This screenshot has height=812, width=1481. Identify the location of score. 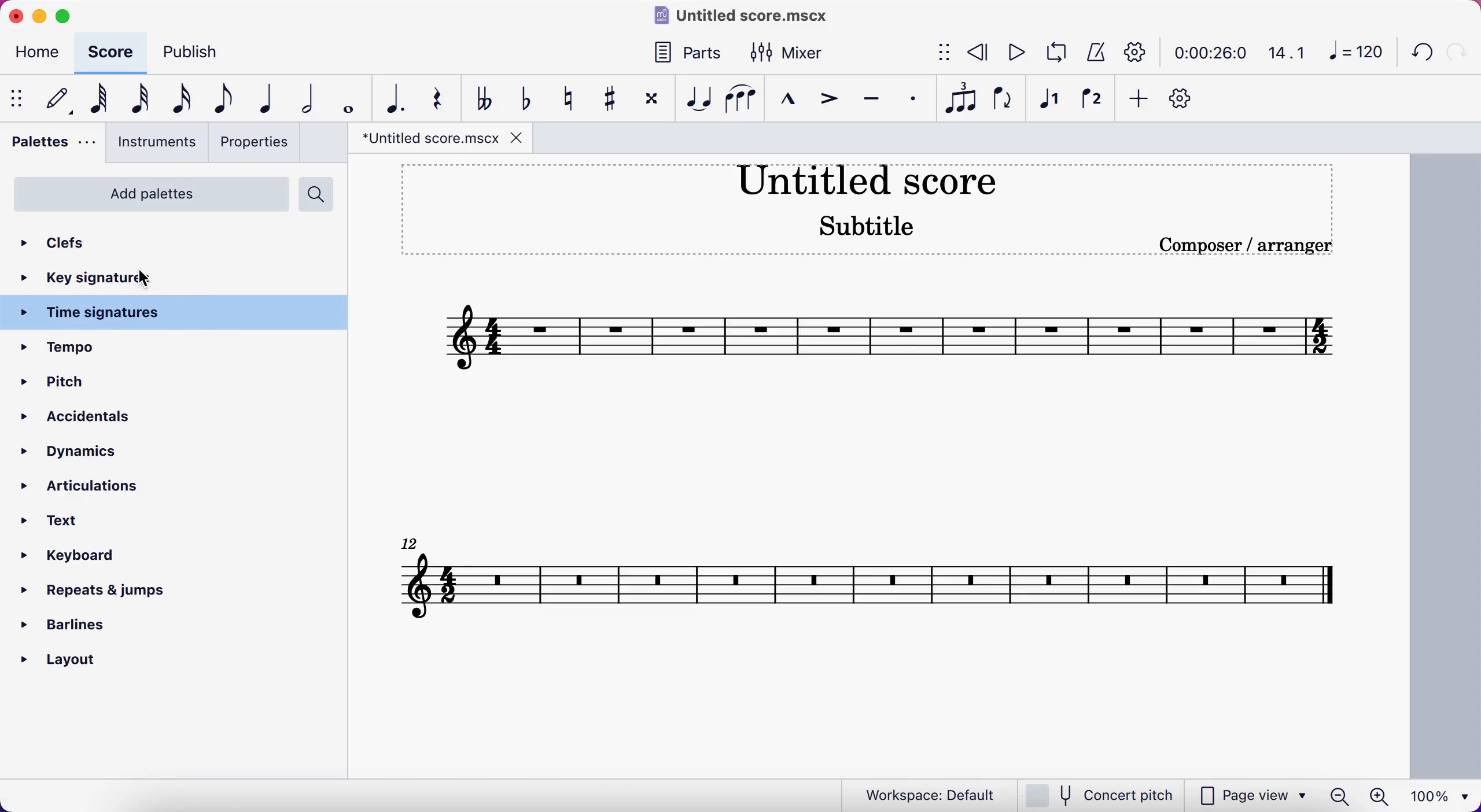
(113, 53).